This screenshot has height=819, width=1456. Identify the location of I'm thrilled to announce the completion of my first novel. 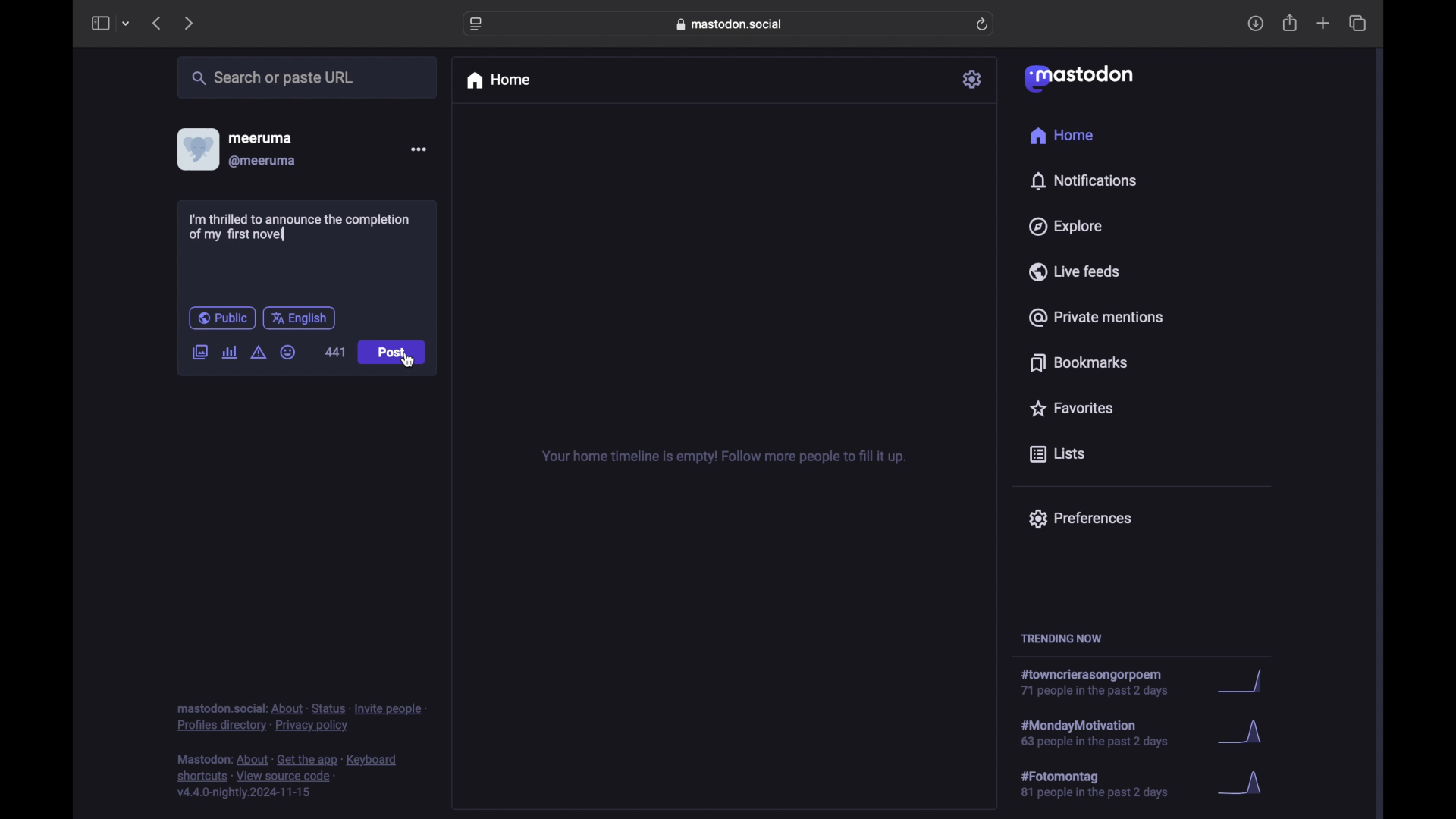
(297, 227).